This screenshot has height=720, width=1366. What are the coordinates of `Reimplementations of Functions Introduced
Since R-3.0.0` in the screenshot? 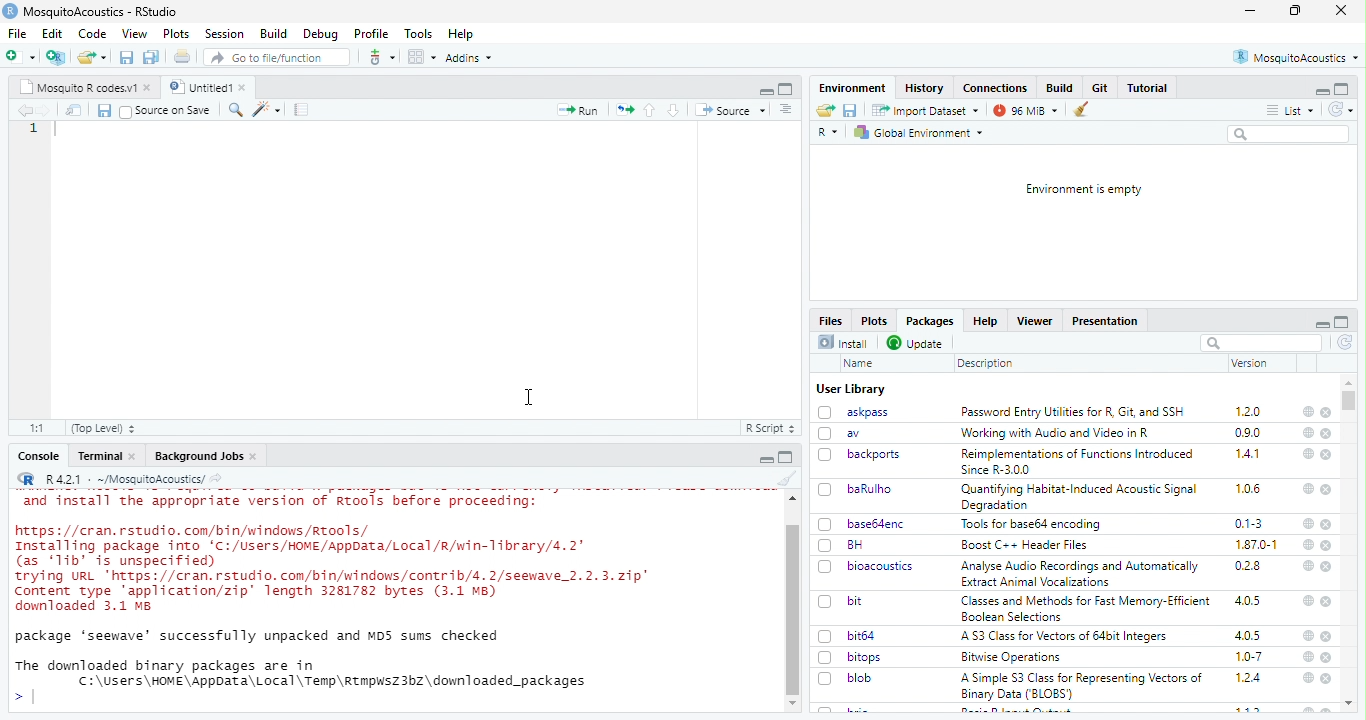 It's located at (1081, 462).